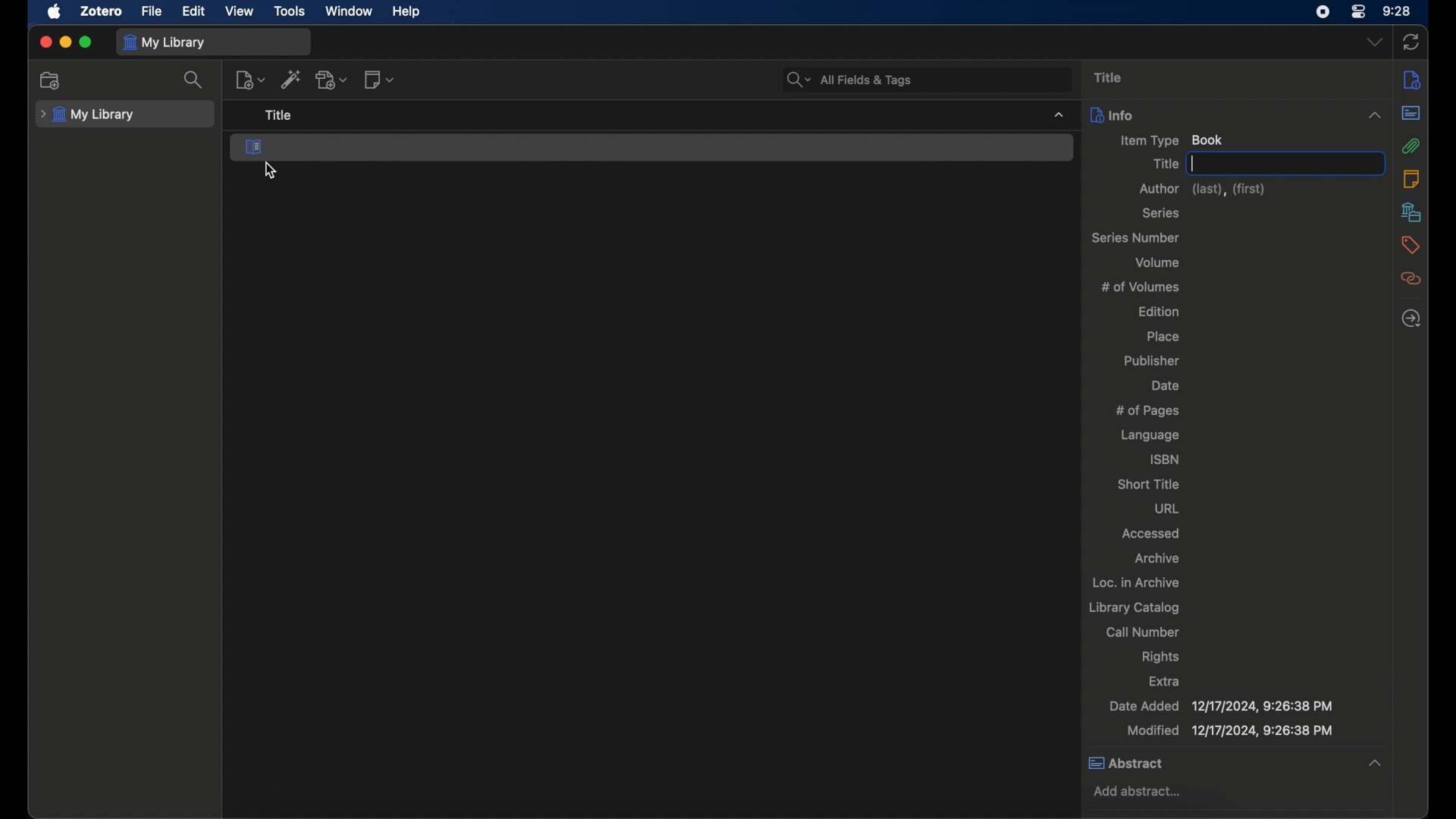 Image resolution: width=1456 pixels, height=819 pixels. I want to click on my library, so click(90, 115).